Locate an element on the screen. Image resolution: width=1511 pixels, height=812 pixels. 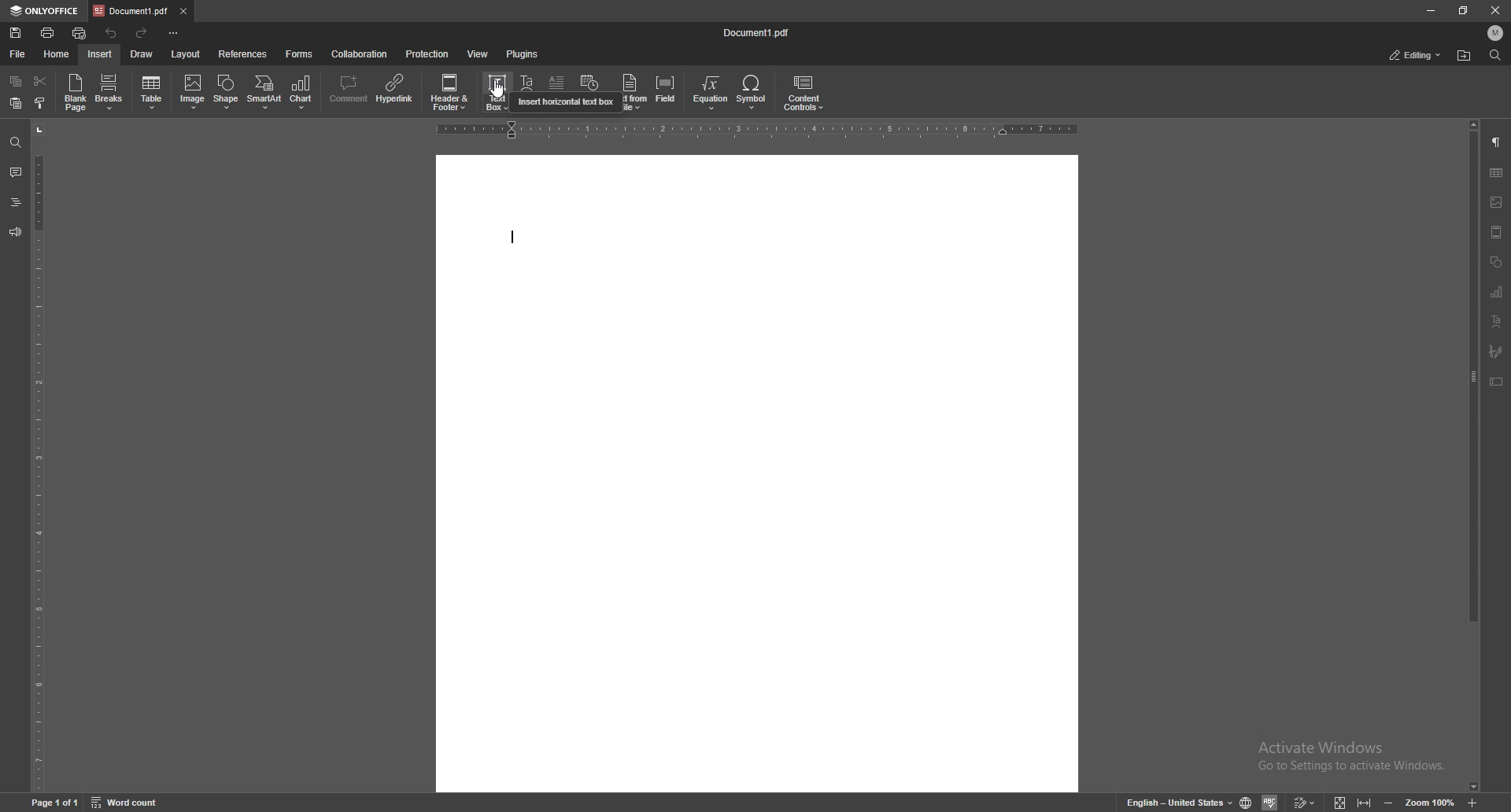
references is located at coordinates (243, 54).